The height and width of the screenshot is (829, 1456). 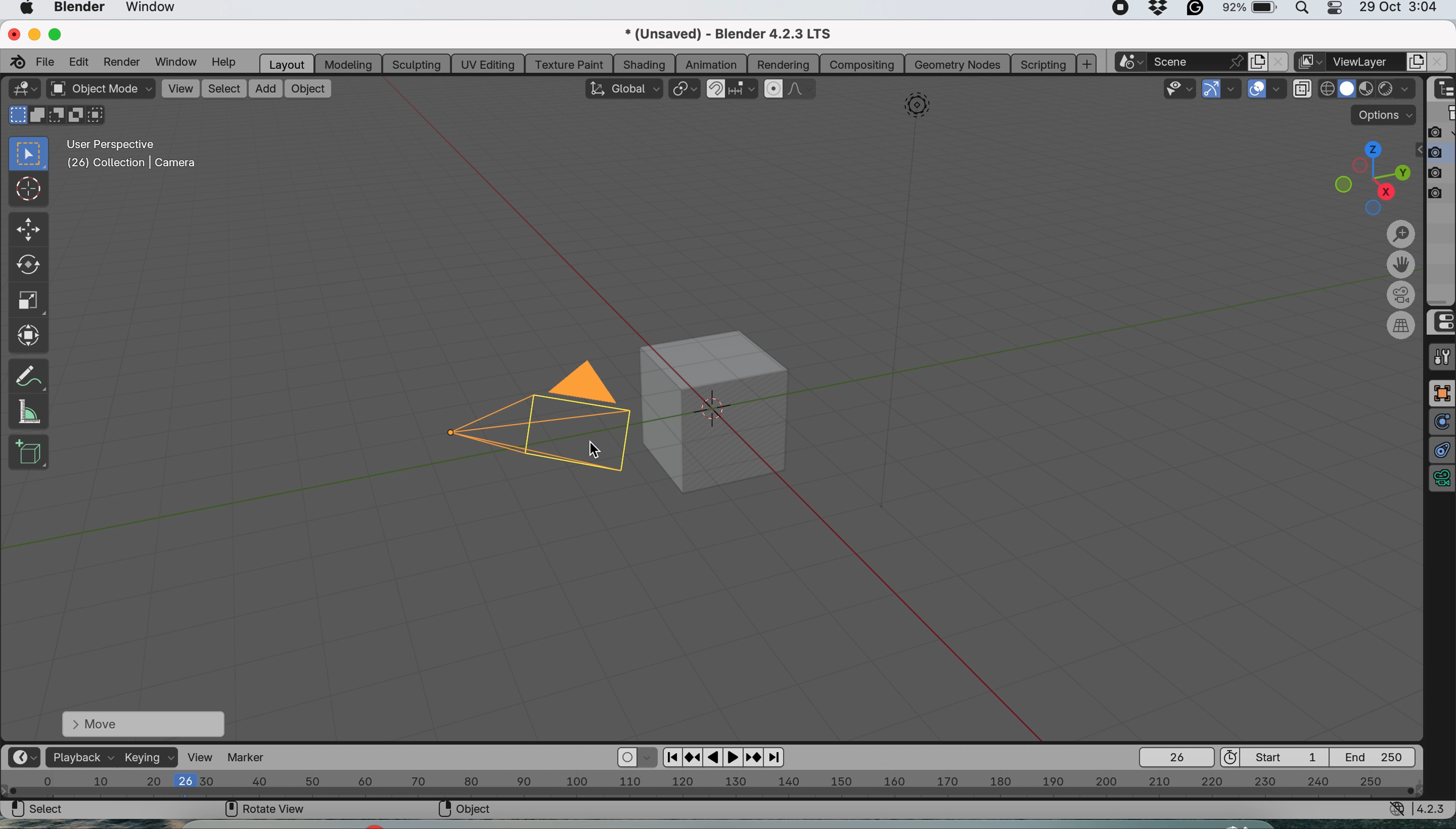 I want to click on switch current view, so click(x=1403, y=326).